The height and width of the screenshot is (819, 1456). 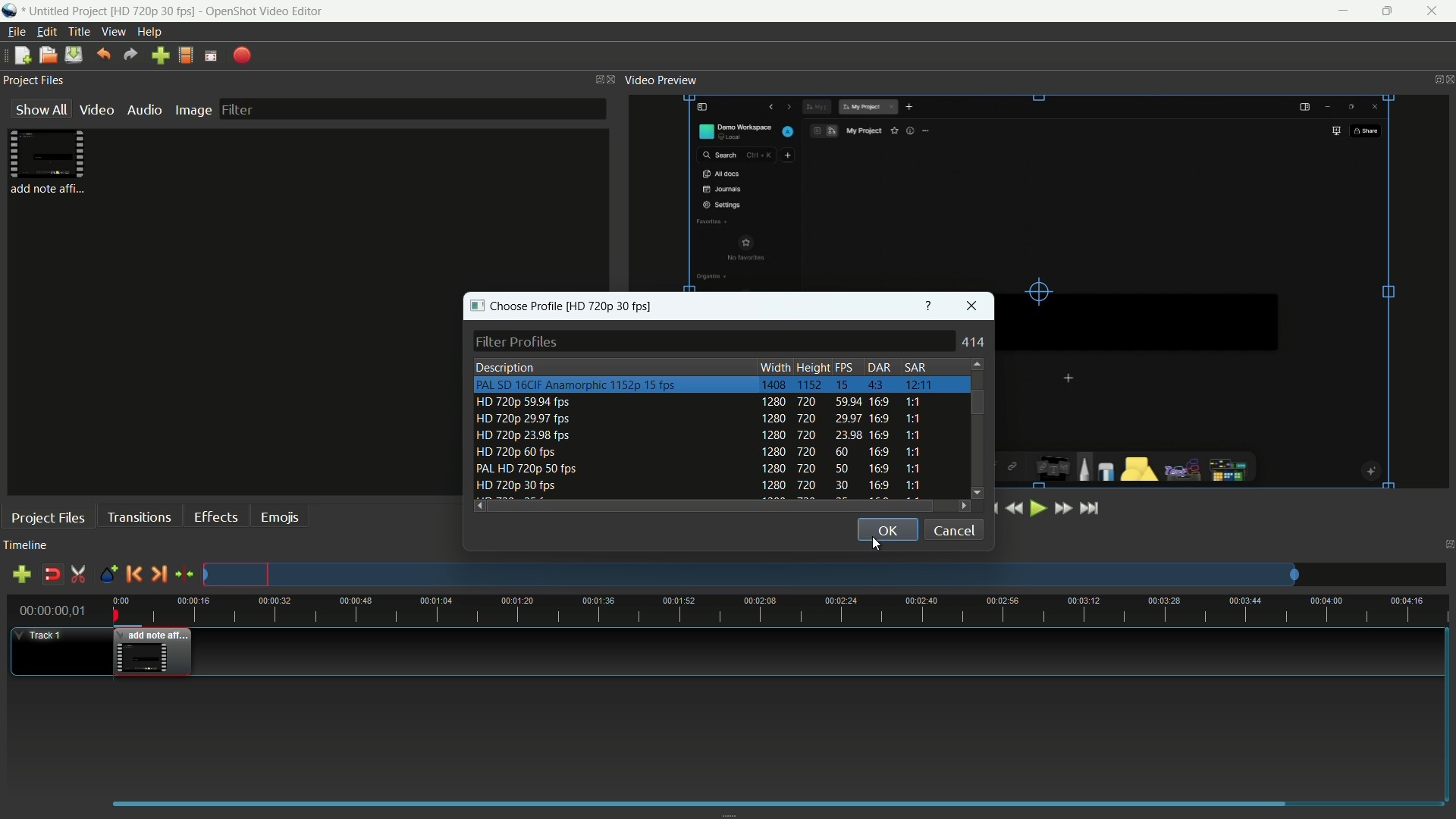 I want to click on filter profile, so click(x=714, y=340).